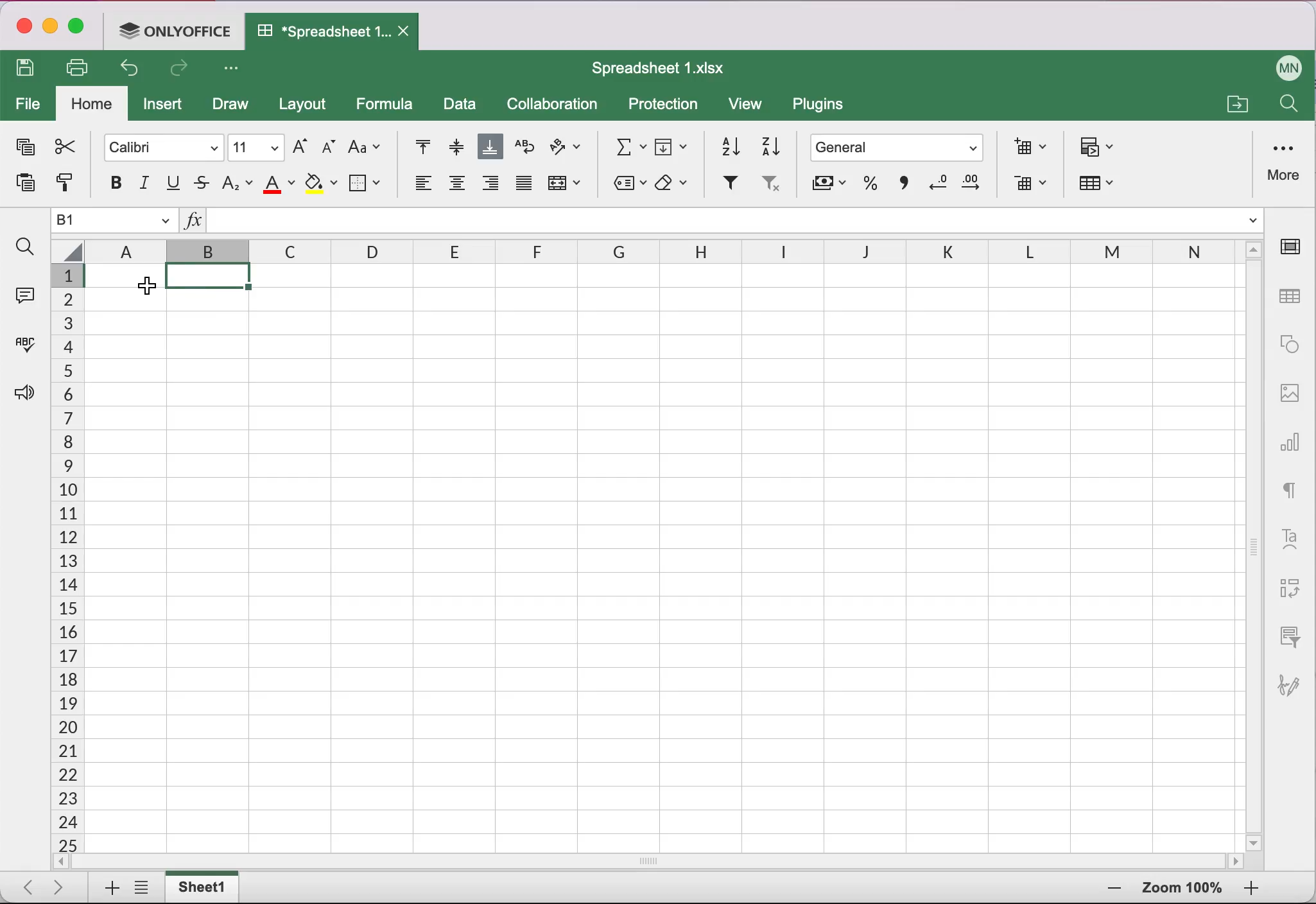  I want to click on align bottom, so click(491, 148).